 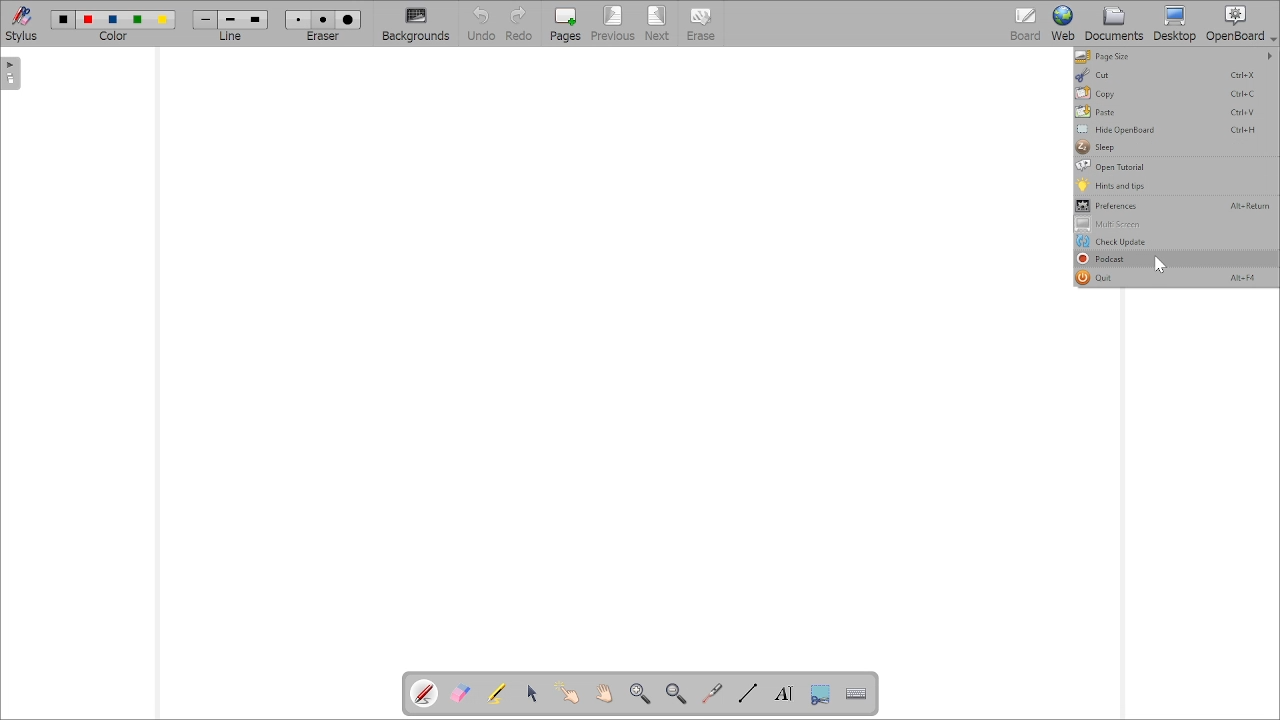 What do you see at coordinates (614, 25) in the screenshot?
I see `Previous` at bounding box center [614, 25].